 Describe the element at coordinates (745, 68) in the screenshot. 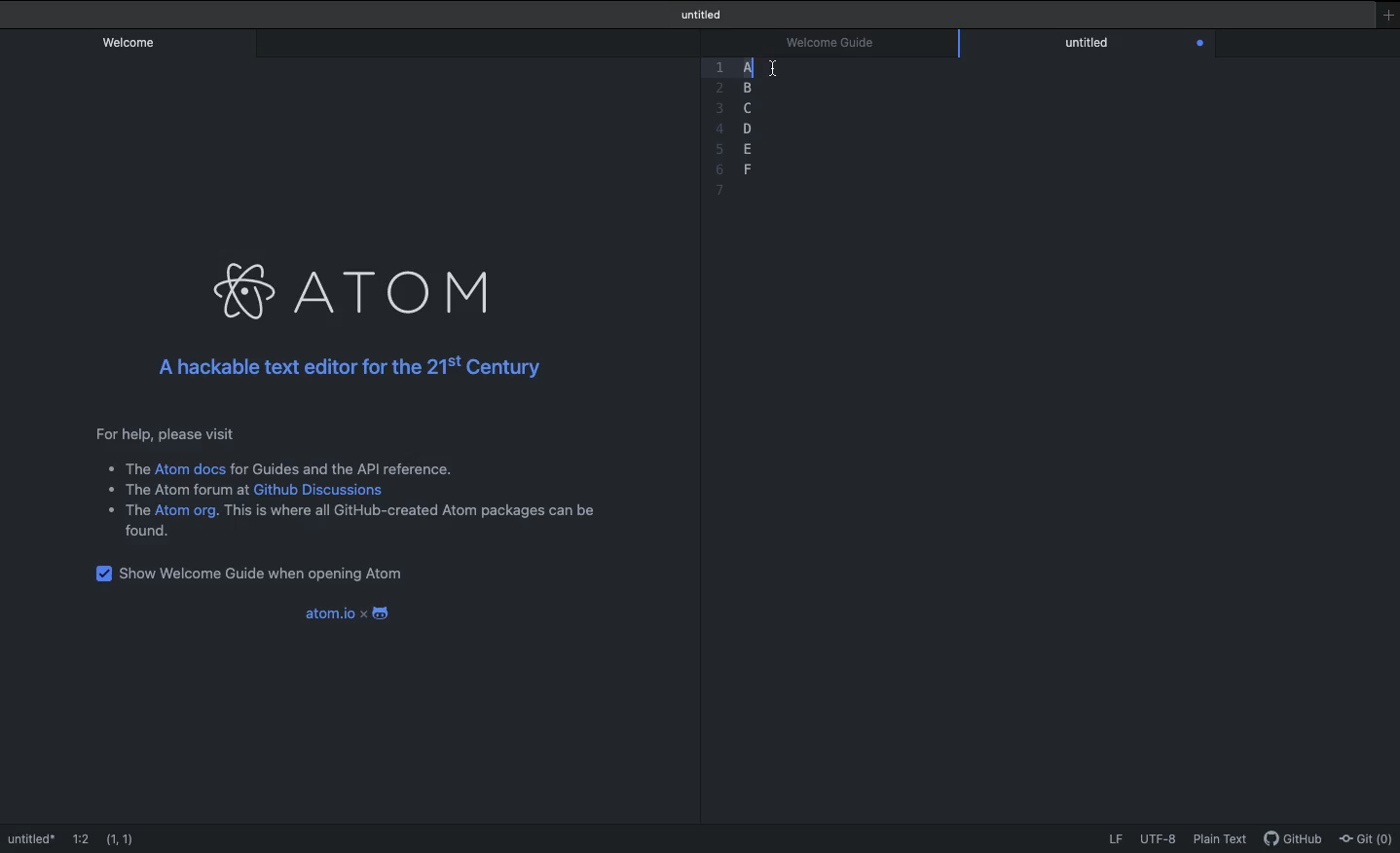

I see `Sections` at that location.